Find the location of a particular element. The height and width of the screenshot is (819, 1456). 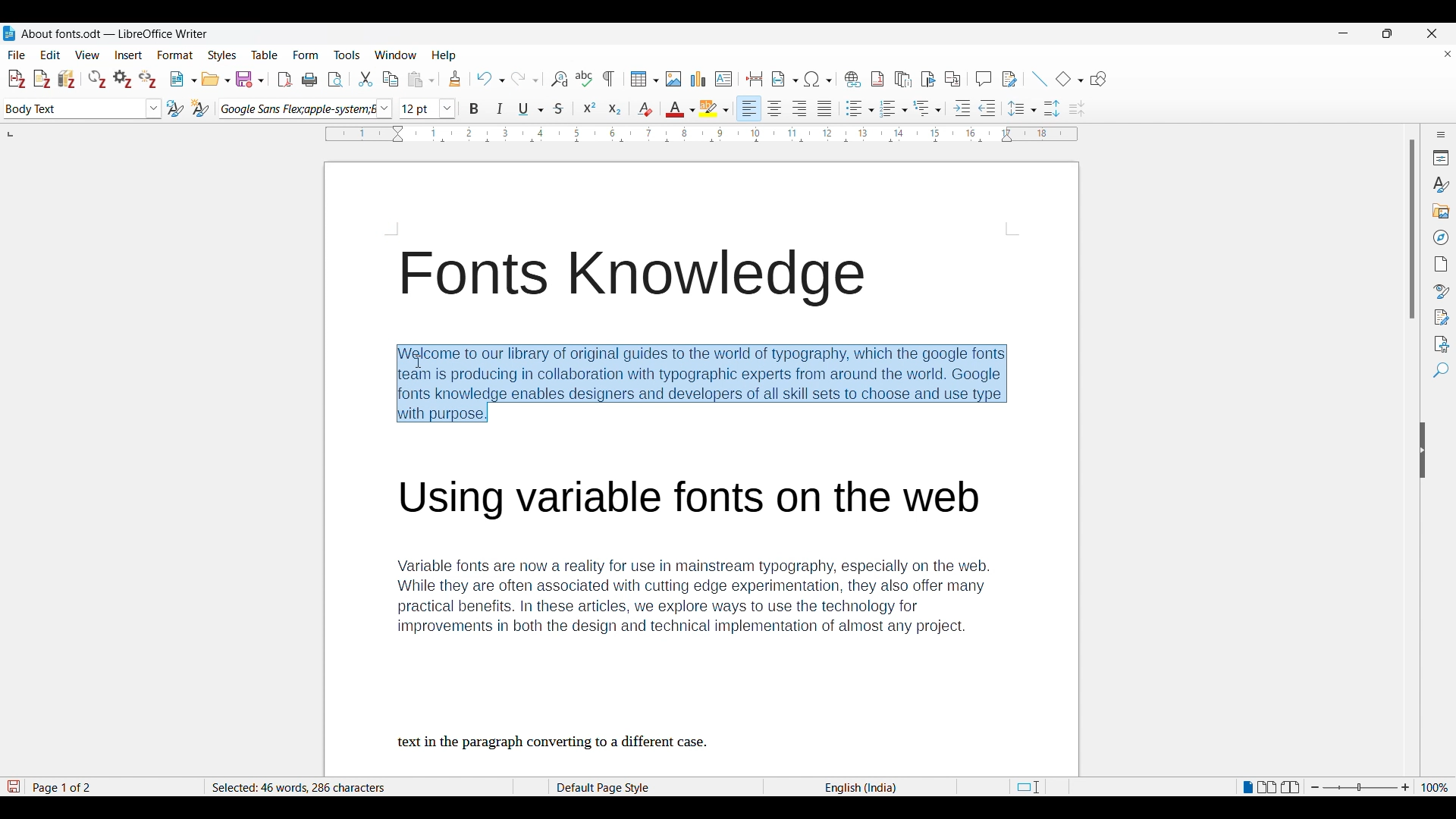

Insert table is located at coordinates (645, 79).